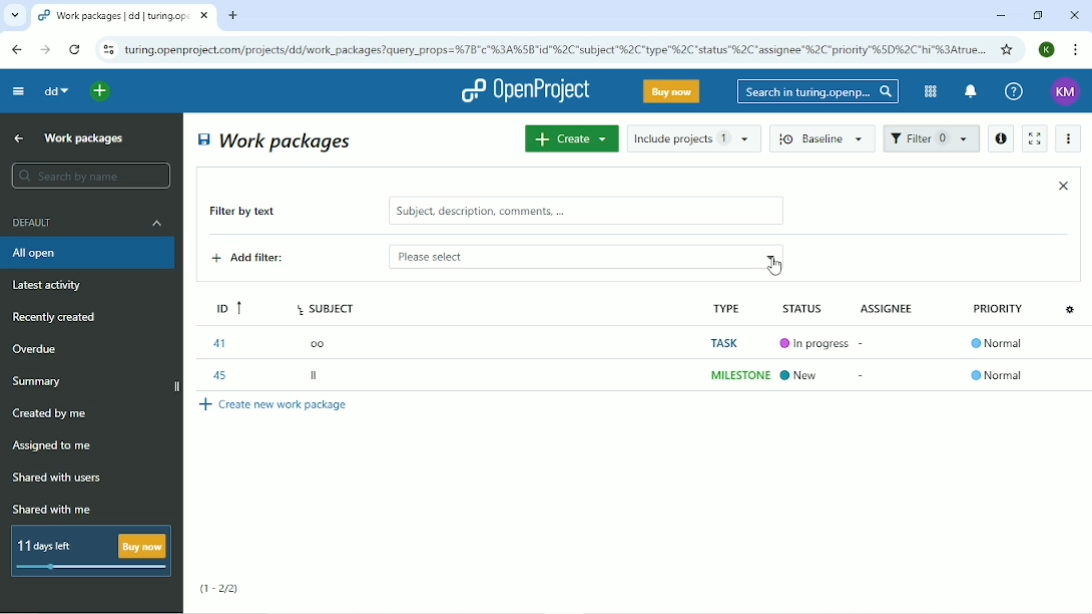  Describe the element at coordinates (101, 91) in the screenshot. I see `Open quick add menu` at that location.